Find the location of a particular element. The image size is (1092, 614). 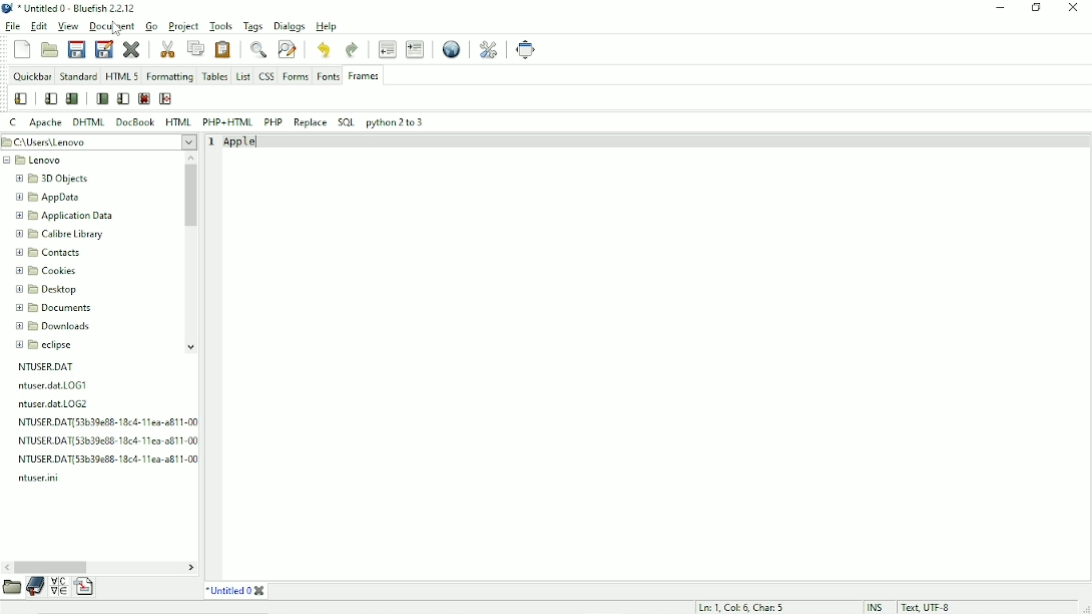

cursor is located at coordinates (117, 30).